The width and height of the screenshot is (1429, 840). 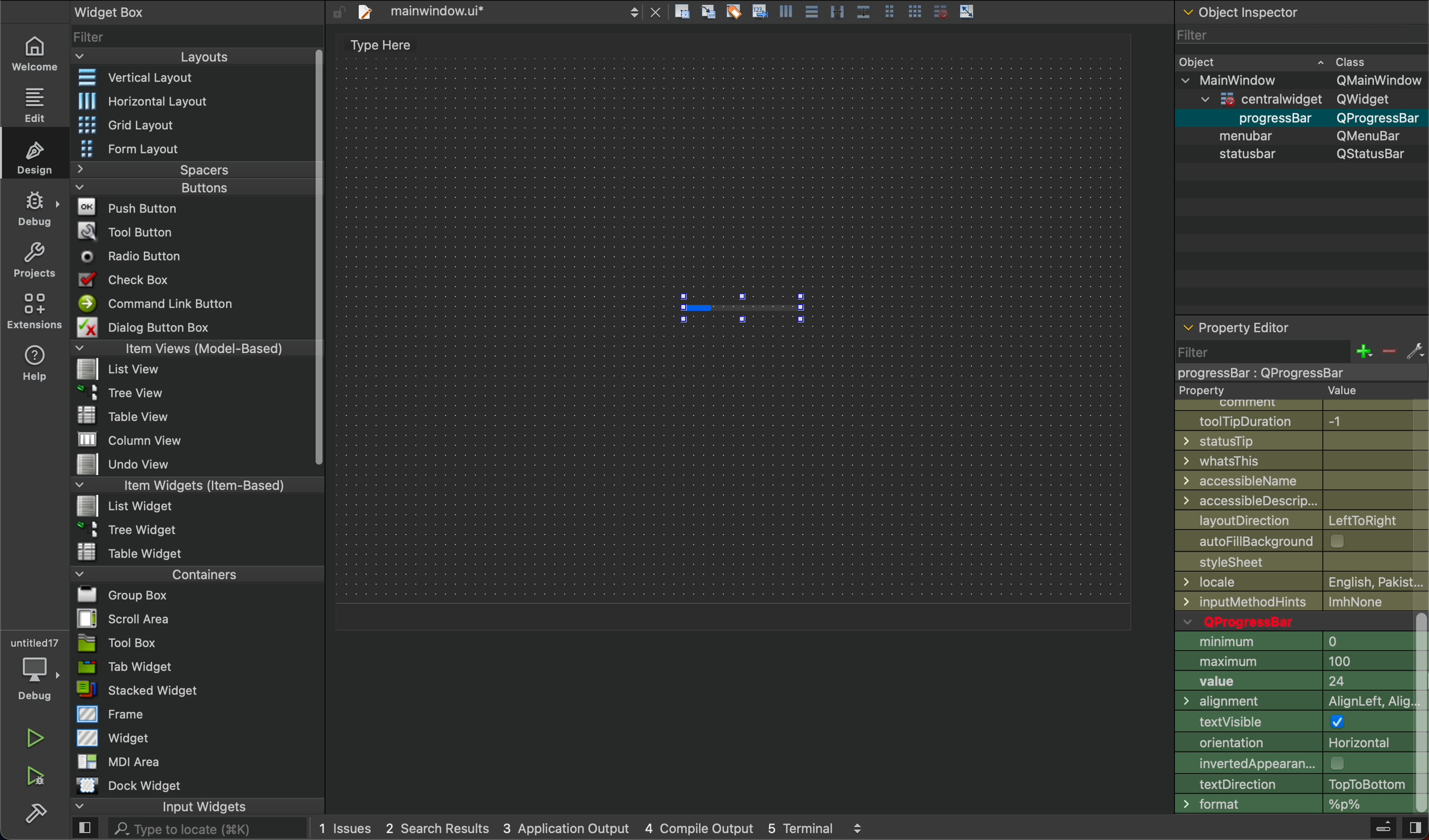 I want to click on Comment, so click(x=1281, y=403).